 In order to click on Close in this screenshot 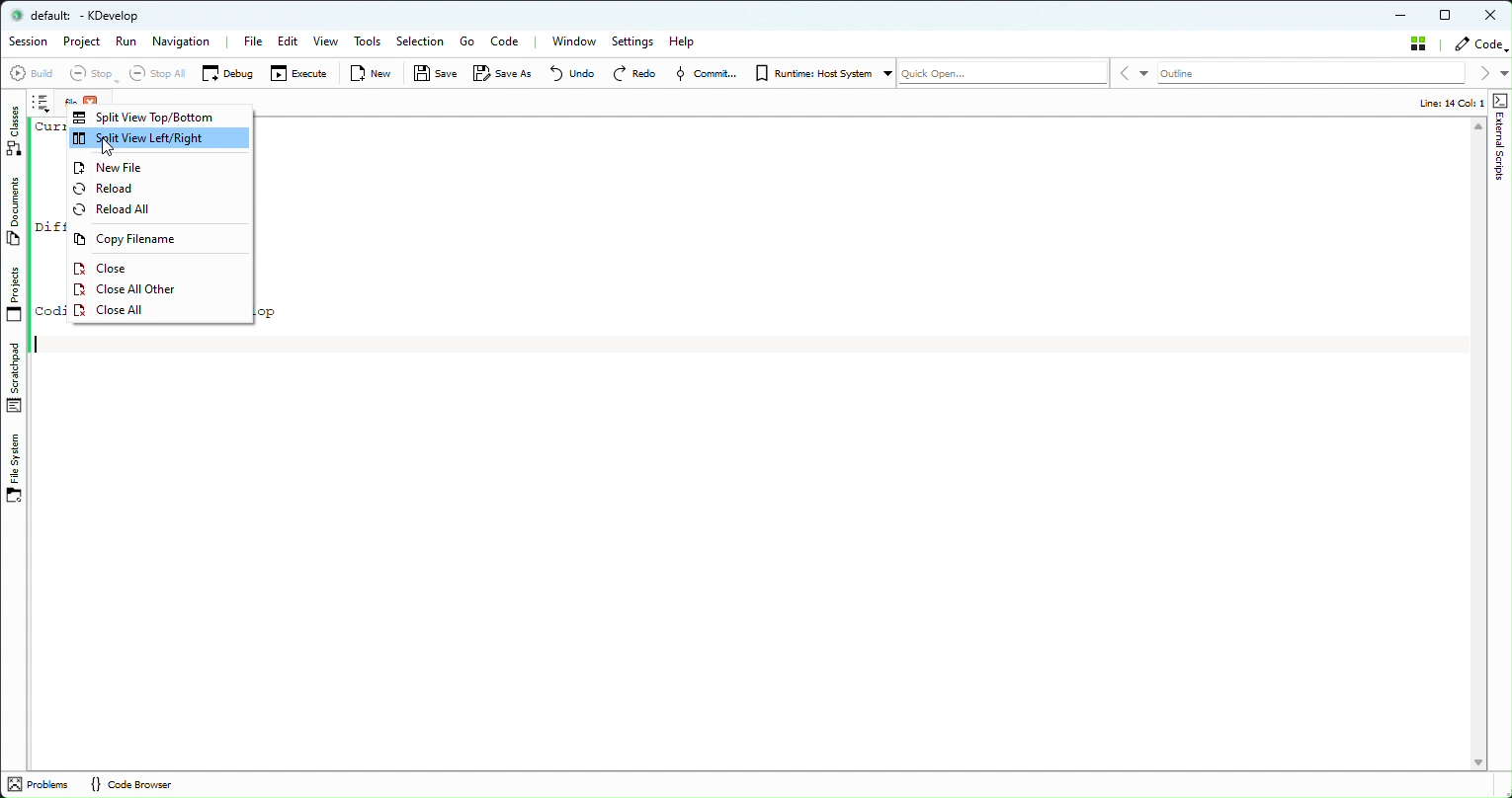, I will do `click(162, 271)`.